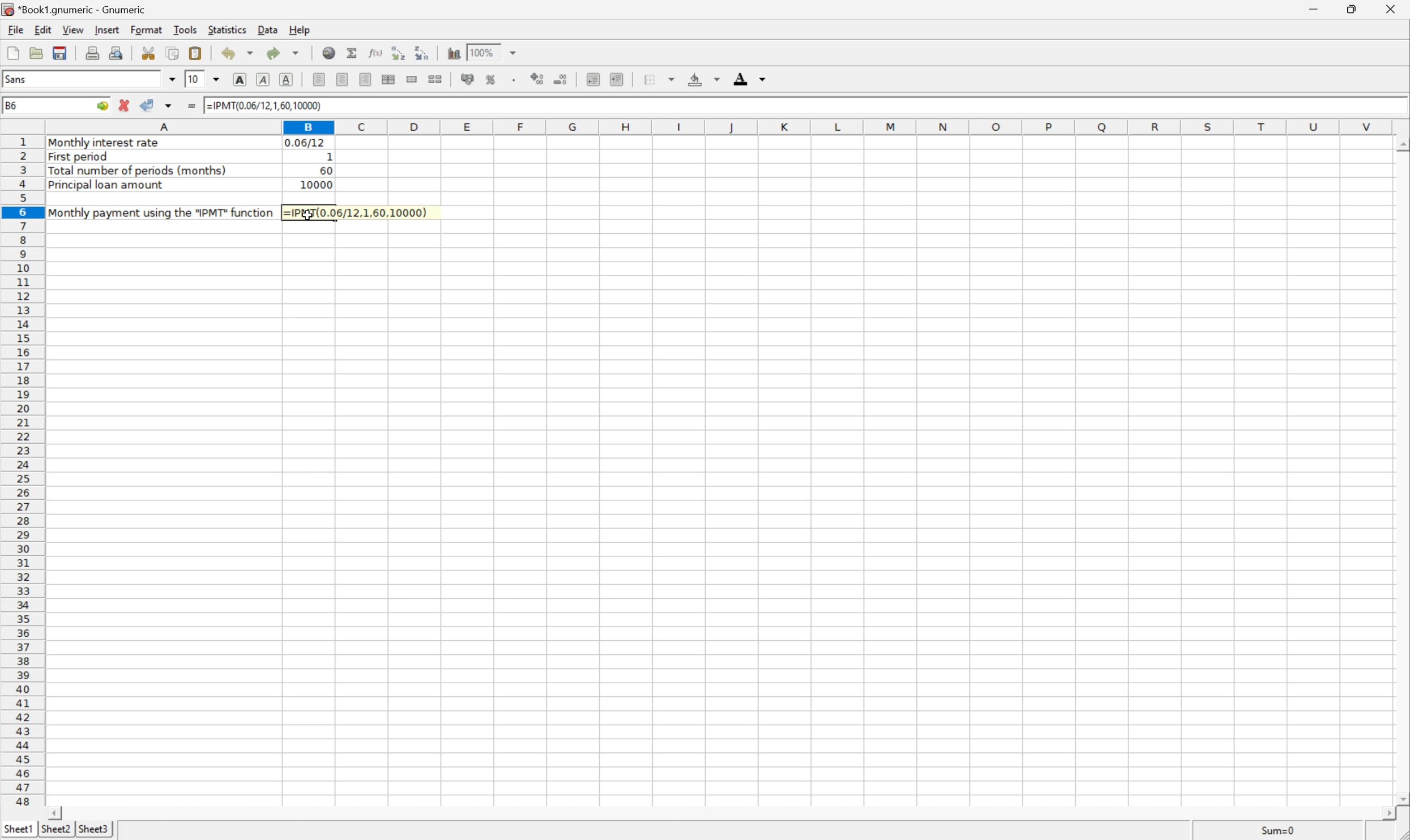 Image resolution: width=1410 pixels, height=840 pixels. What do you see at coordinates (11, 53) in the screenshot?
I see `Create a new workbook` at bounding box center [11, 53].